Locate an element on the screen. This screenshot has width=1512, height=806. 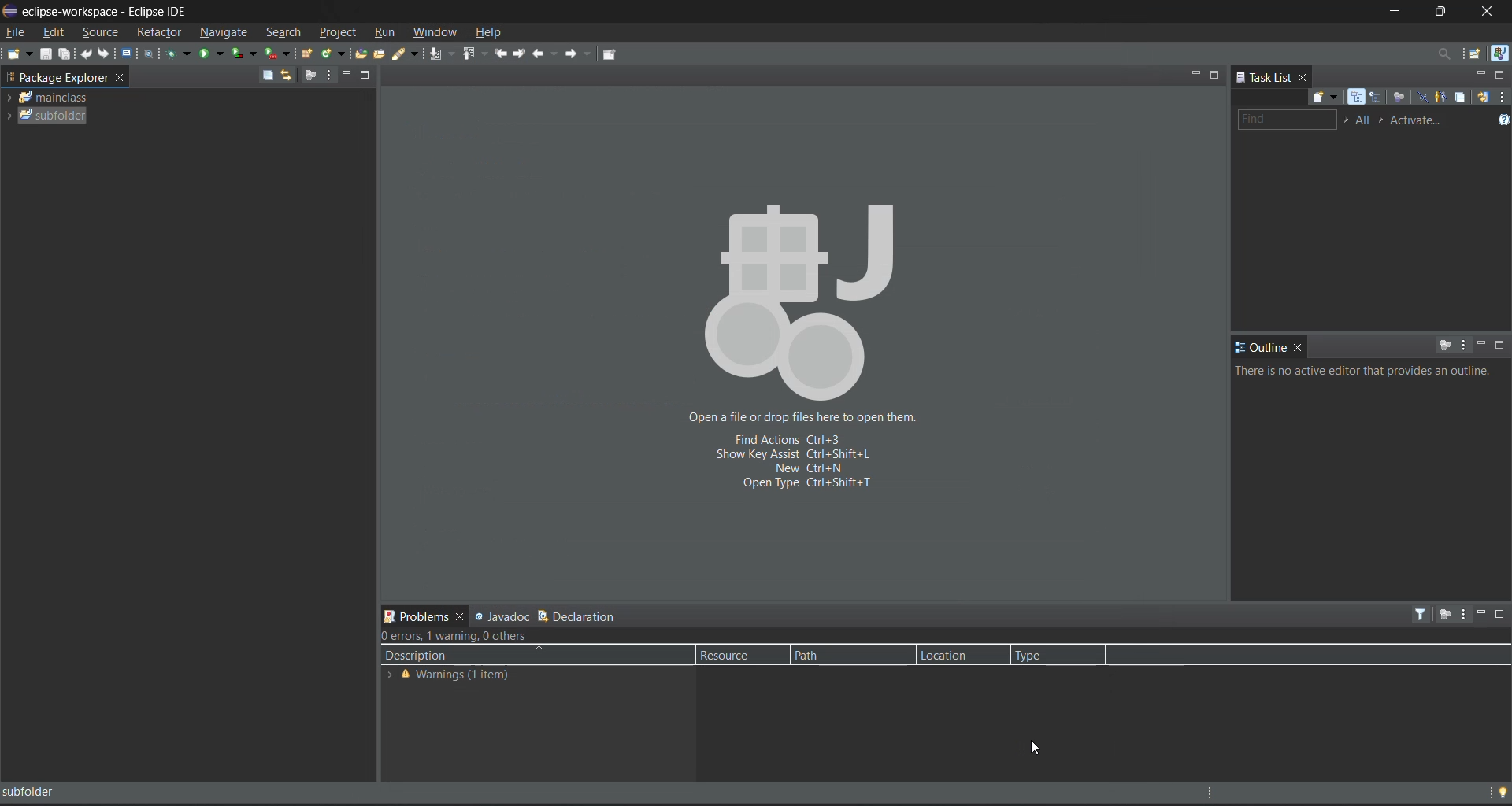
open a terminal is located at coordinates (128, 53).